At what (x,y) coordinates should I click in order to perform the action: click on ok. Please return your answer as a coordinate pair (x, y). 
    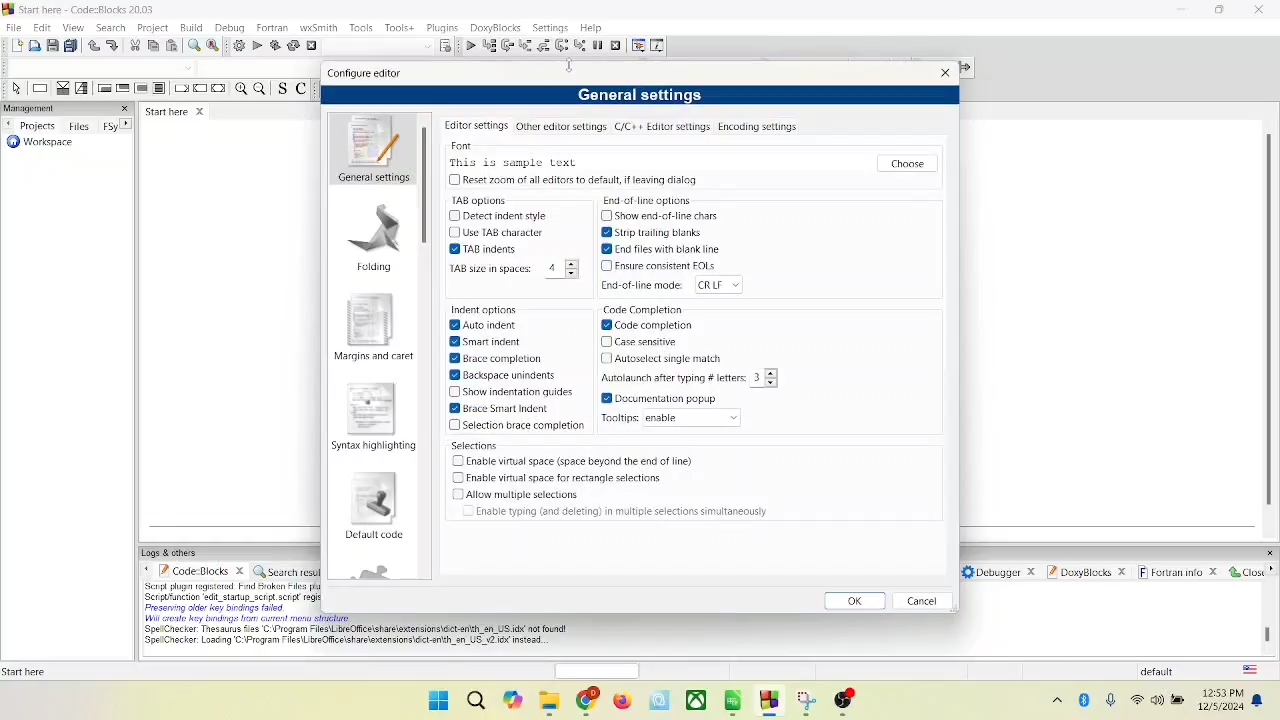
    Looking at the image, I should click on (846, 601).